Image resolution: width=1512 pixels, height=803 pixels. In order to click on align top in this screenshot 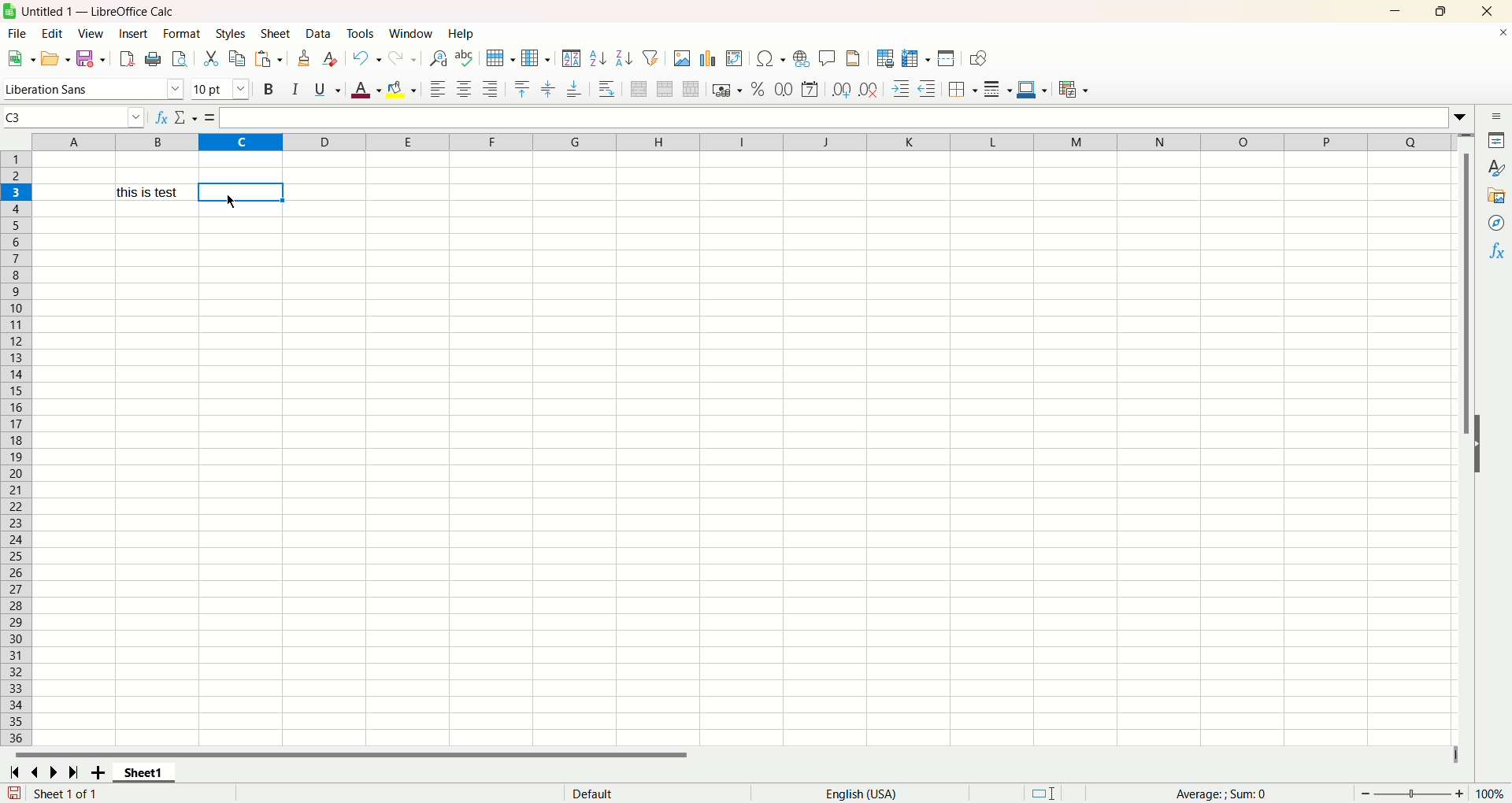, I will do `click(523, 88)`.